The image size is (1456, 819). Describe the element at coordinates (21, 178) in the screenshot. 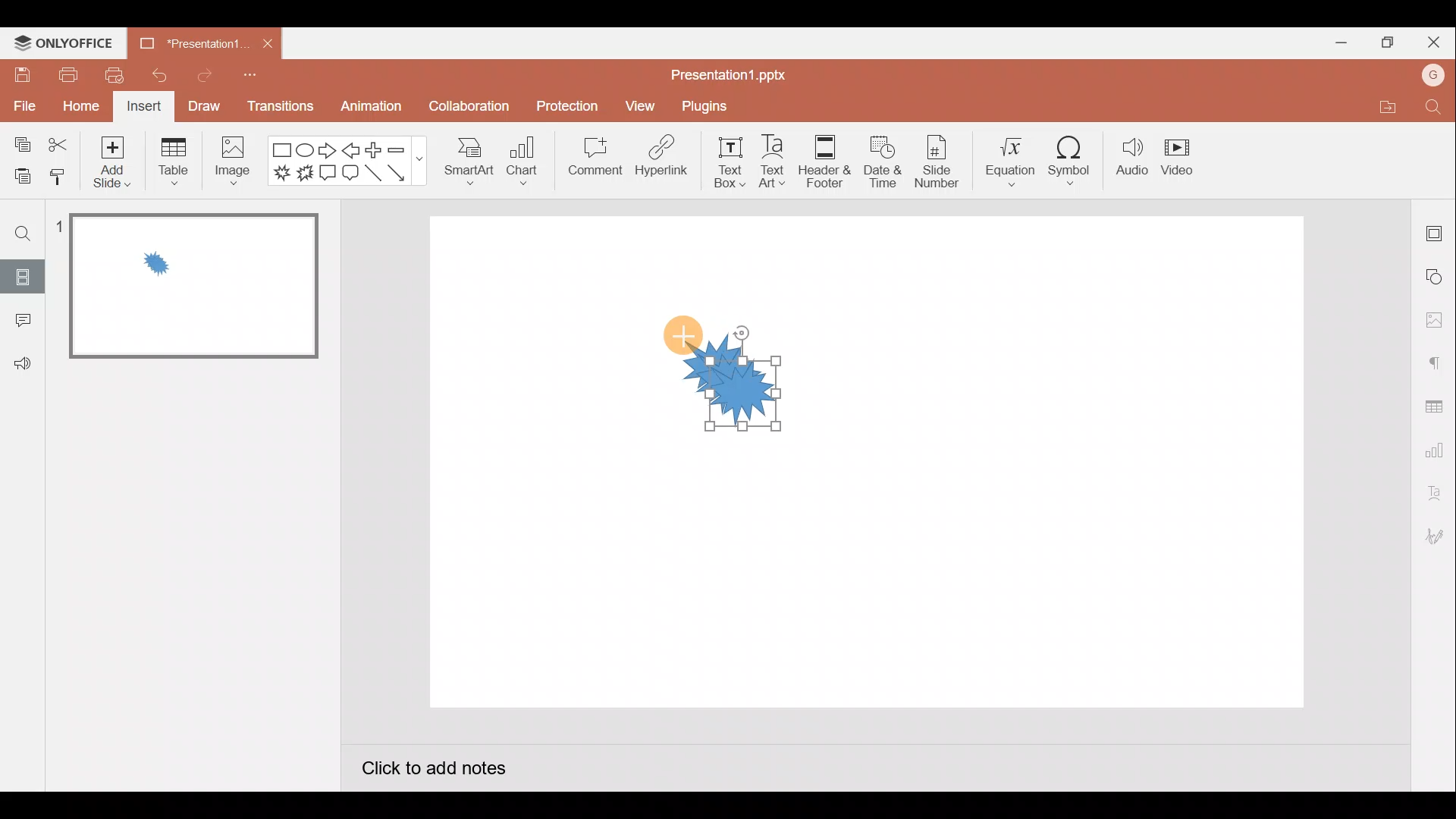

I see `Paste` at that location.